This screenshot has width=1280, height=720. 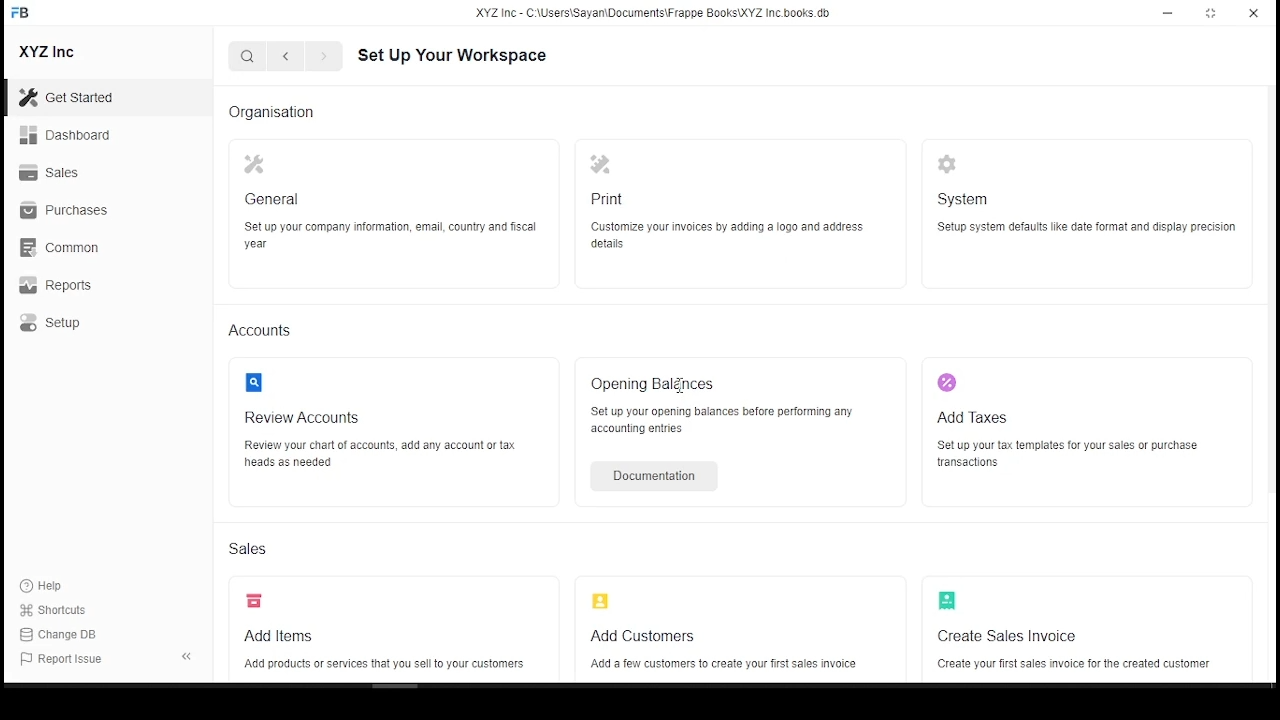 What do you see at coordinates (1168, 17) in the screenshot?
I see `minimize` at bounding box center [1168, 17].